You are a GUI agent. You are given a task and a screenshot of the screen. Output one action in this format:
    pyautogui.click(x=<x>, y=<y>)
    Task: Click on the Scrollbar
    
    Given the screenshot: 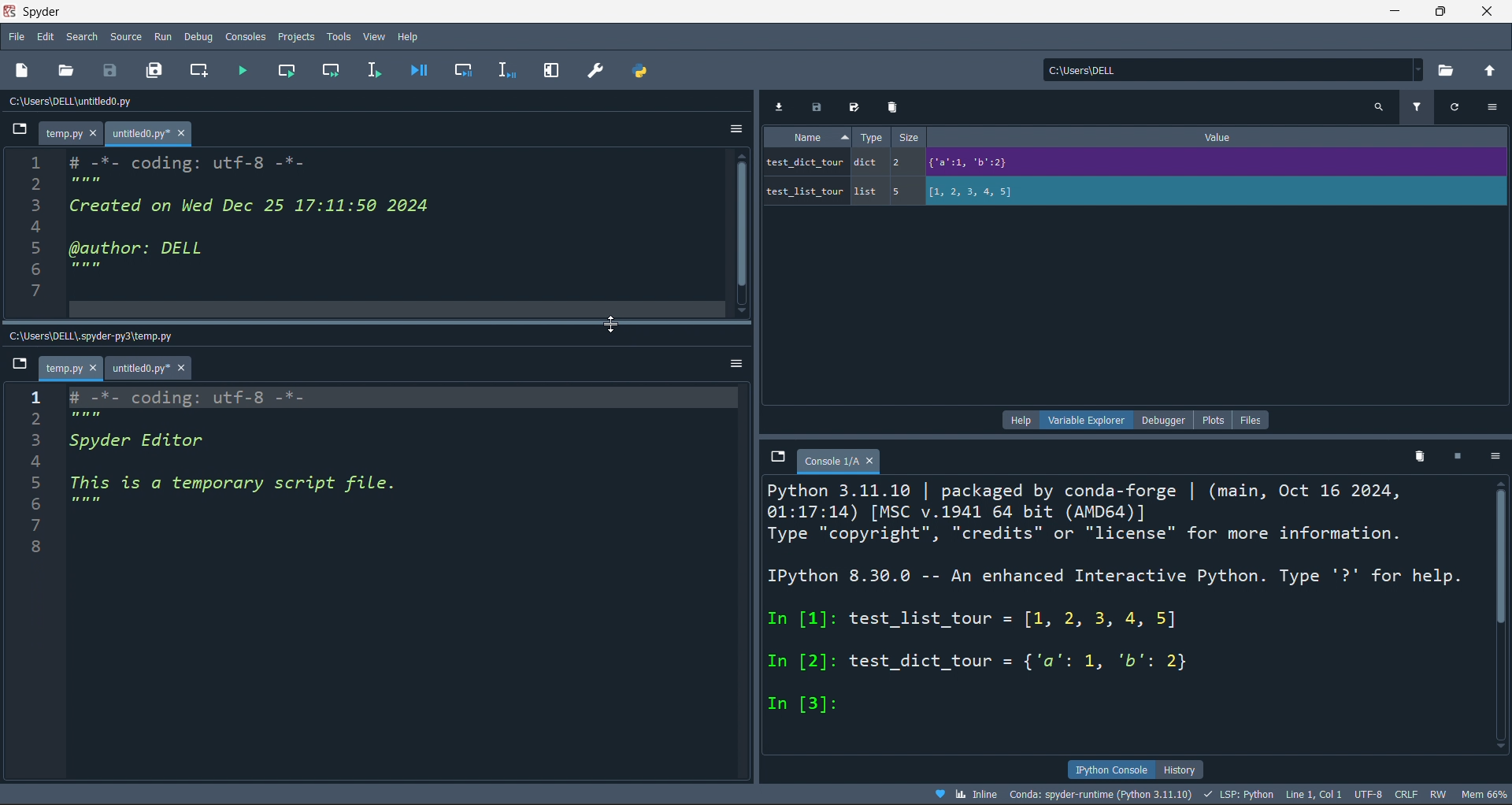 What is the action you would take?
    pyautogui.click(x=1503, y=607)
    